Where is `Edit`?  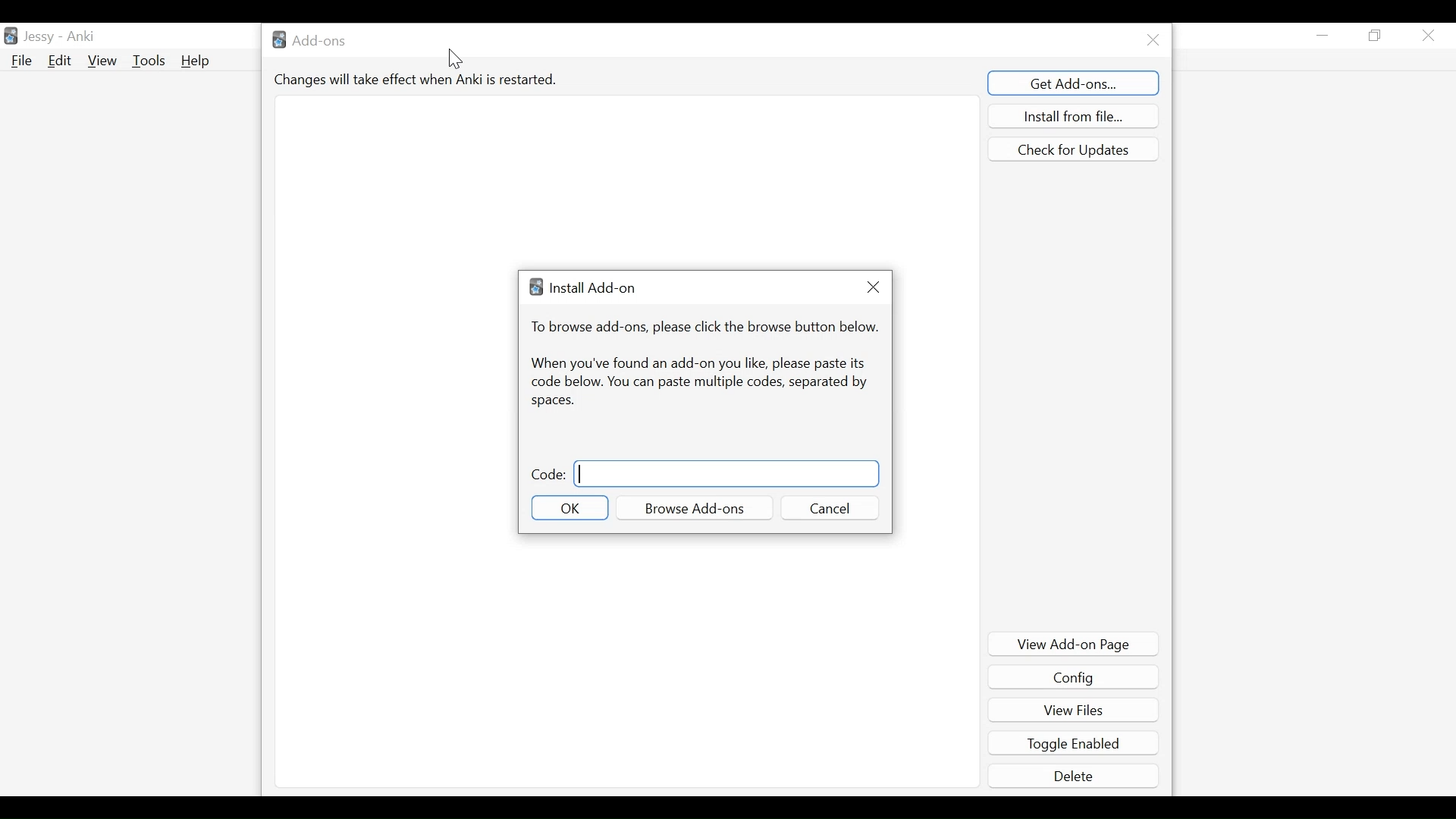
Edit is located at coordinates (58, 61).